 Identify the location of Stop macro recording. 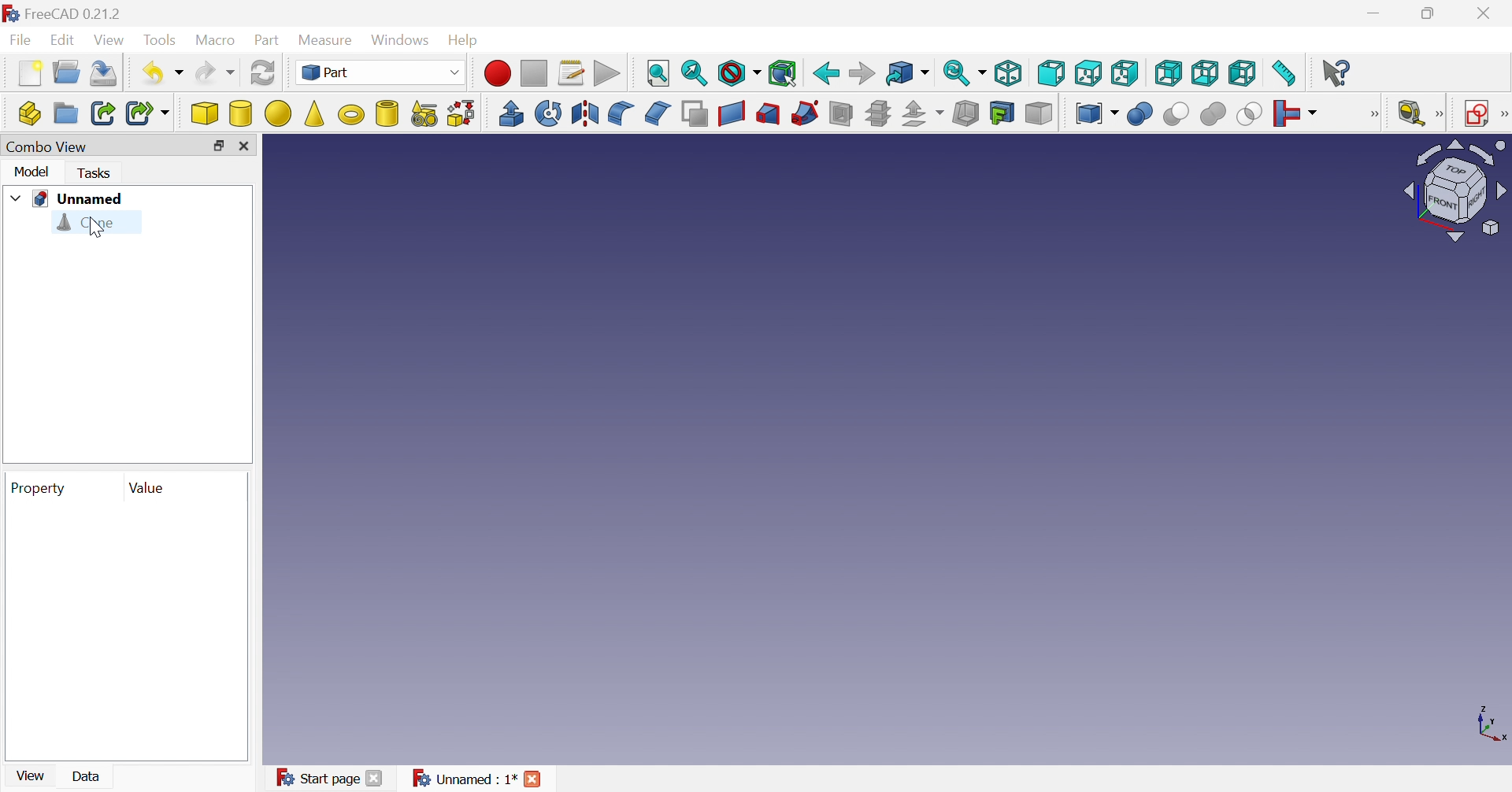
(537, 72).